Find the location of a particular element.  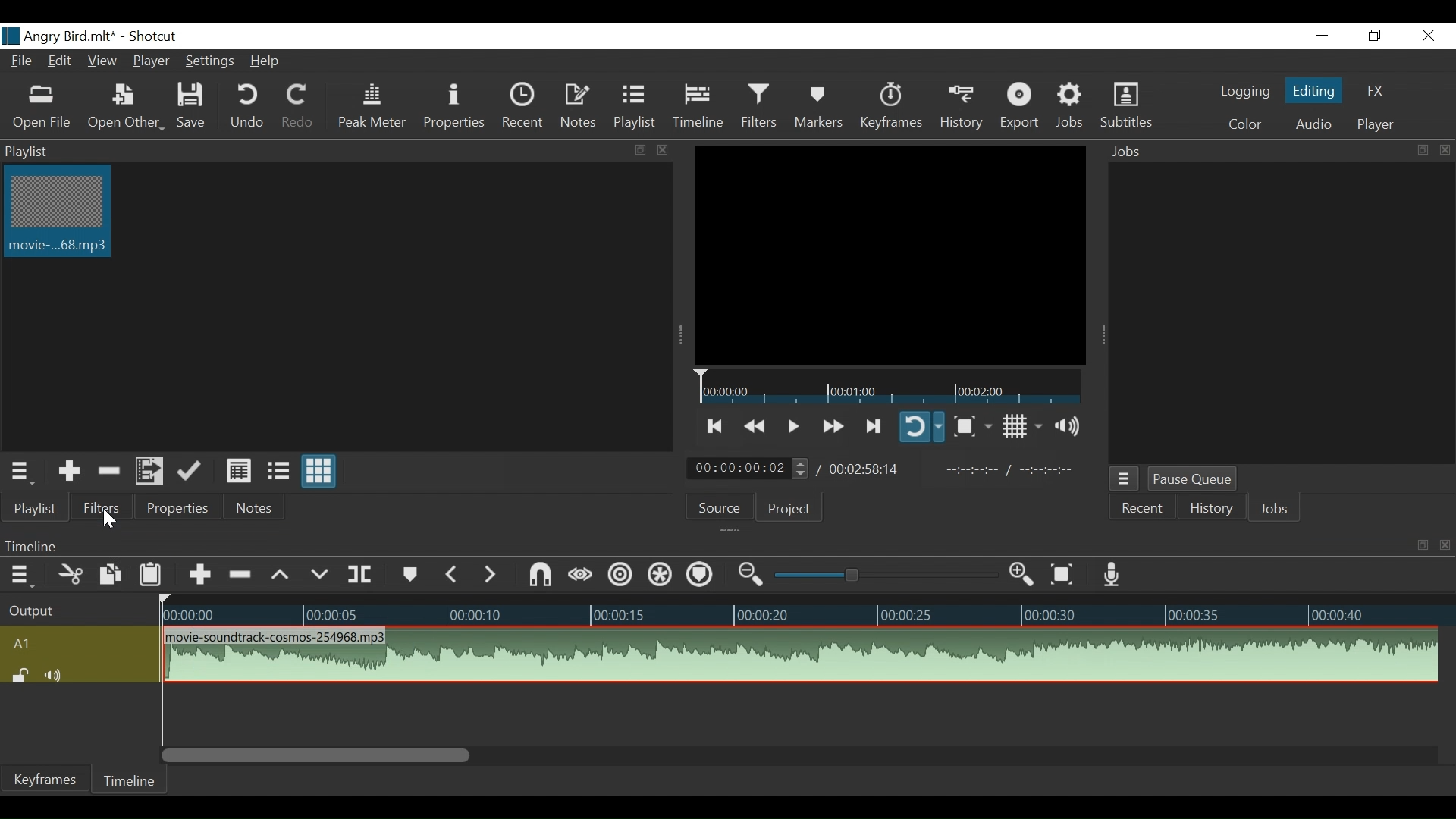

Pause Queue is located at coordinates (1193, 479).